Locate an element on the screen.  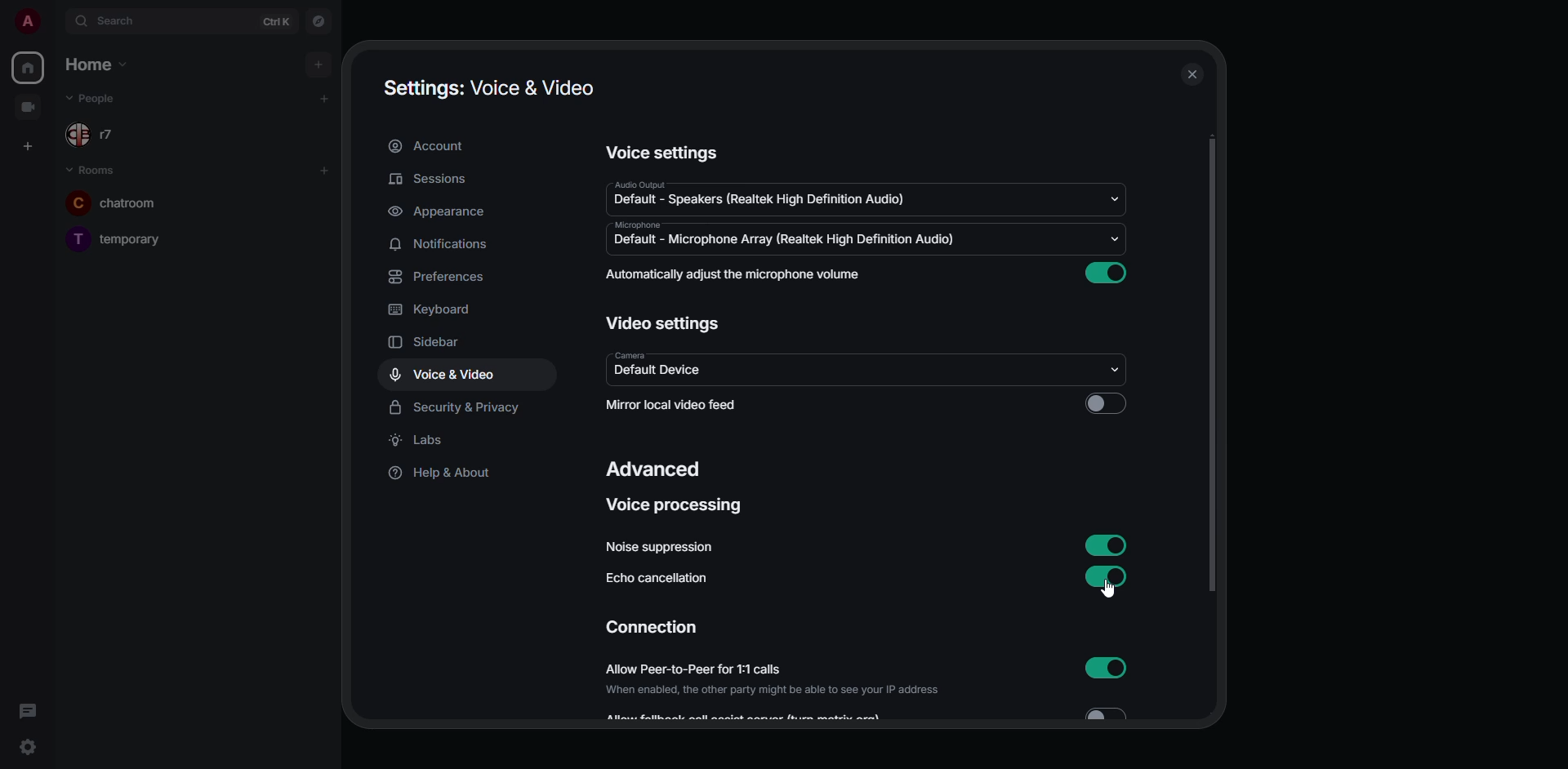
notifications is located at coordinates (441, 243).